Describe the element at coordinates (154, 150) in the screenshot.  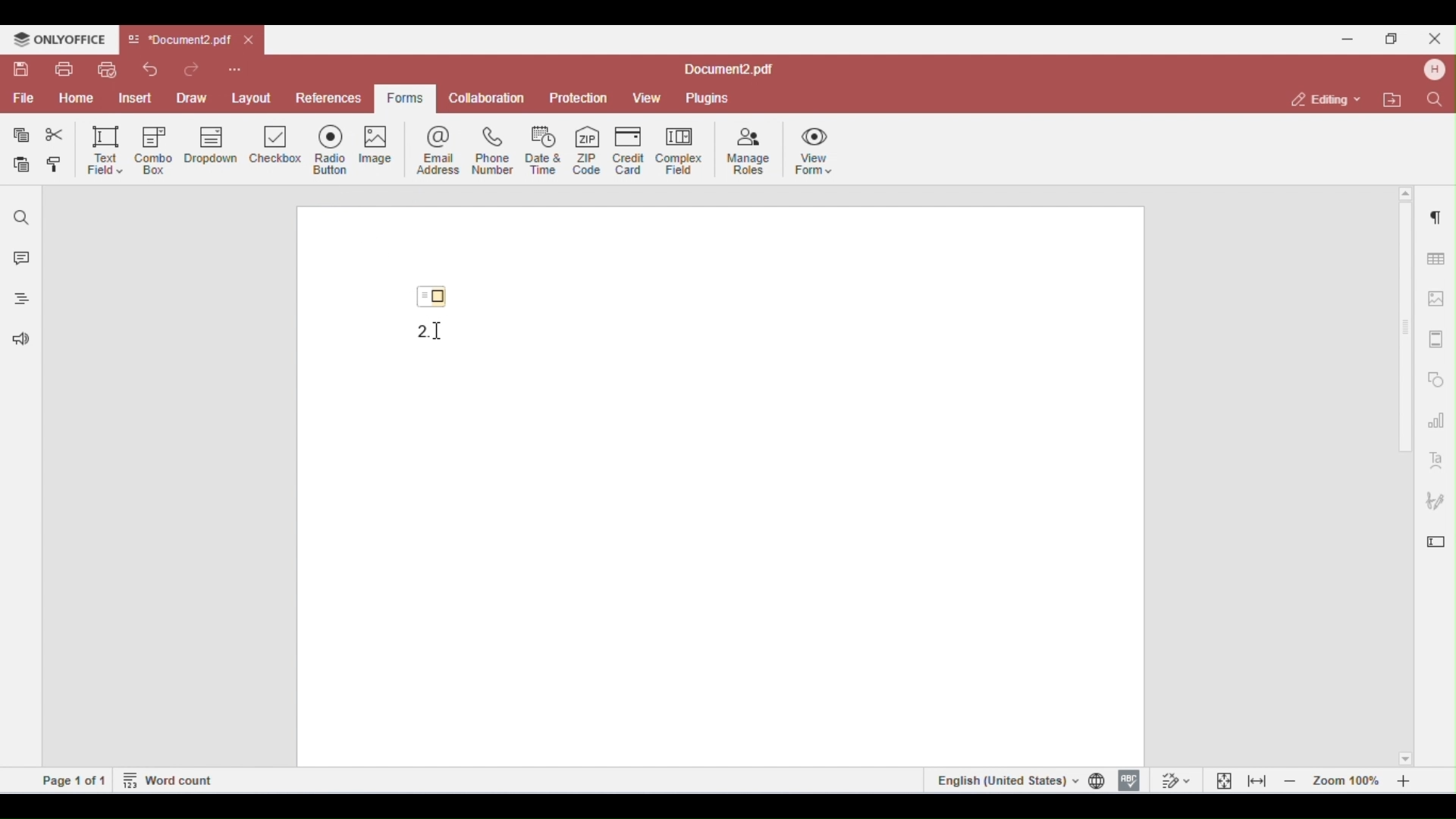
I see `combo box` at that location.